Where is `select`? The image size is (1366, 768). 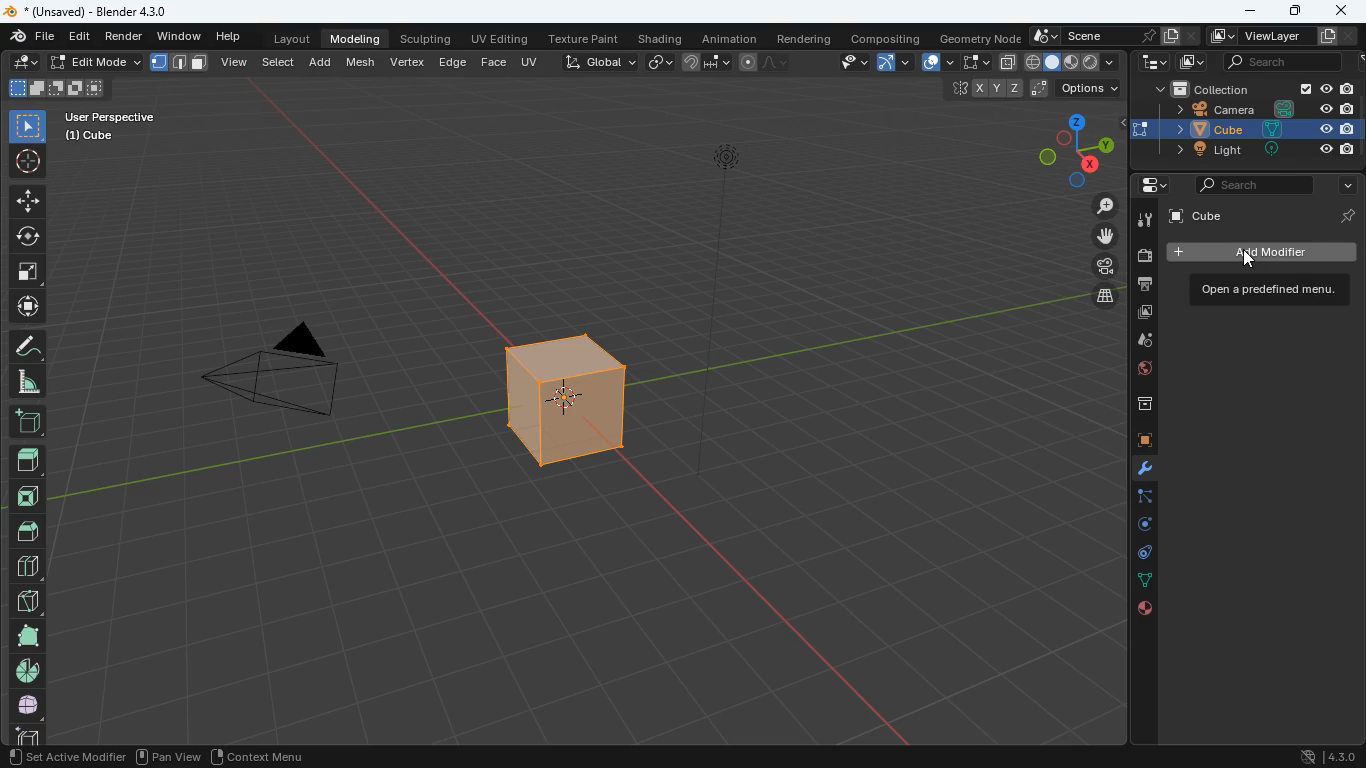
select is located at coordinates (28, 127).